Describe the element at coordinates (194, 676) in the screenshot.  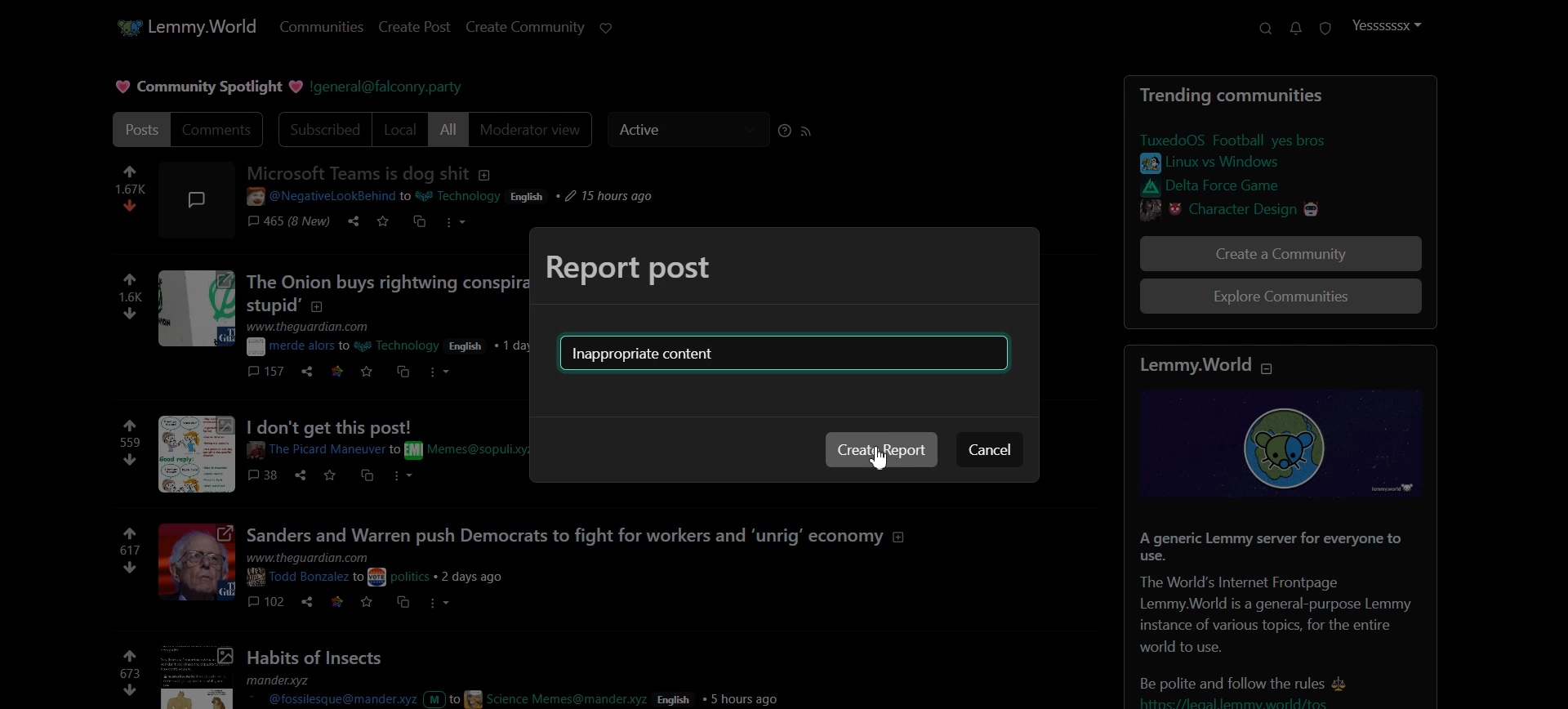
I see `image` at that location.